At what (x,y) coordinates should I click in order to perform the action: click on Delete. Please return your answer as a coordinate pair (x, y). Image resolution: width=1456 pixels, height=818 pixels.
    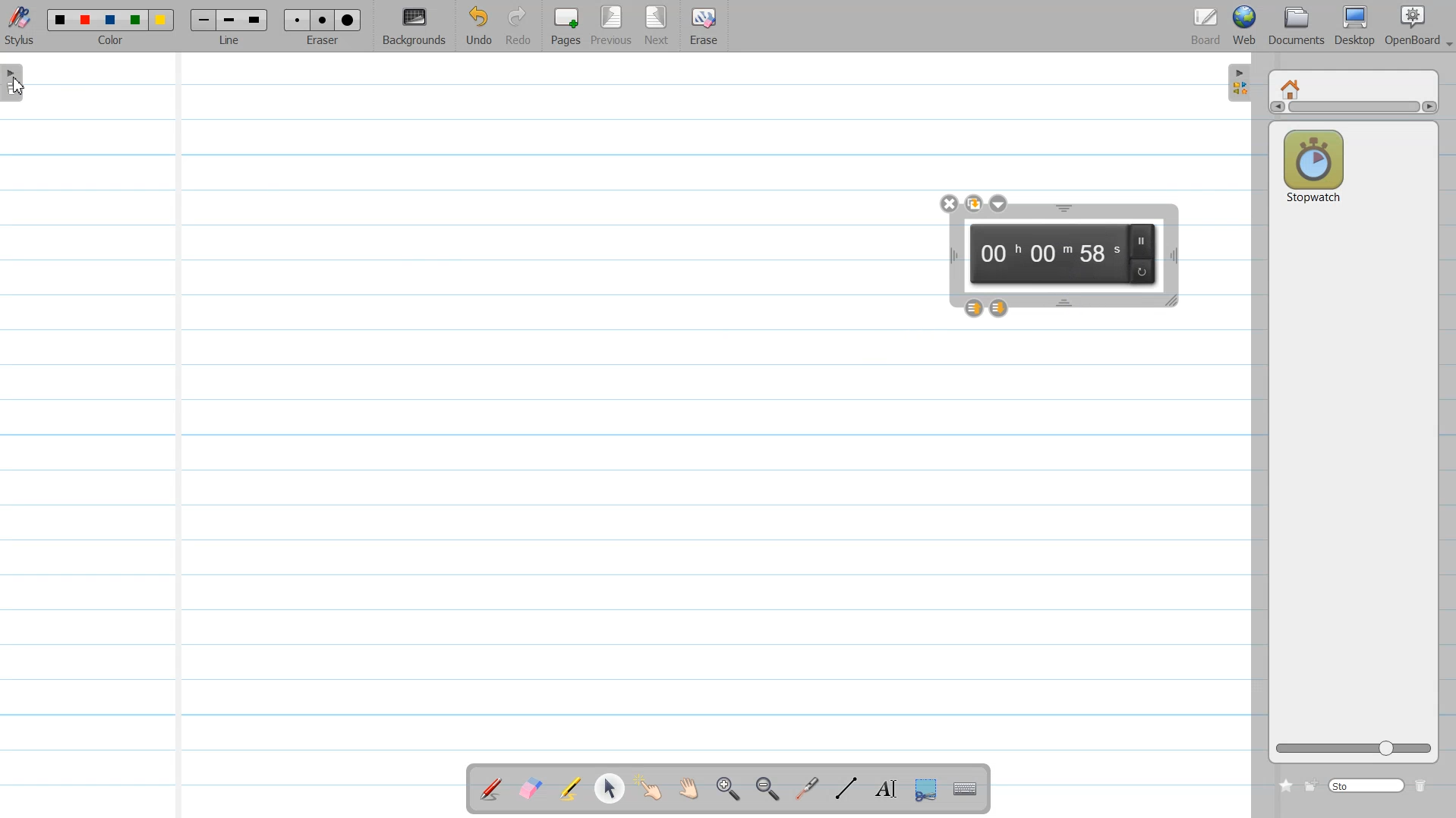
    Looking at the image, I should click on (1424, 785).